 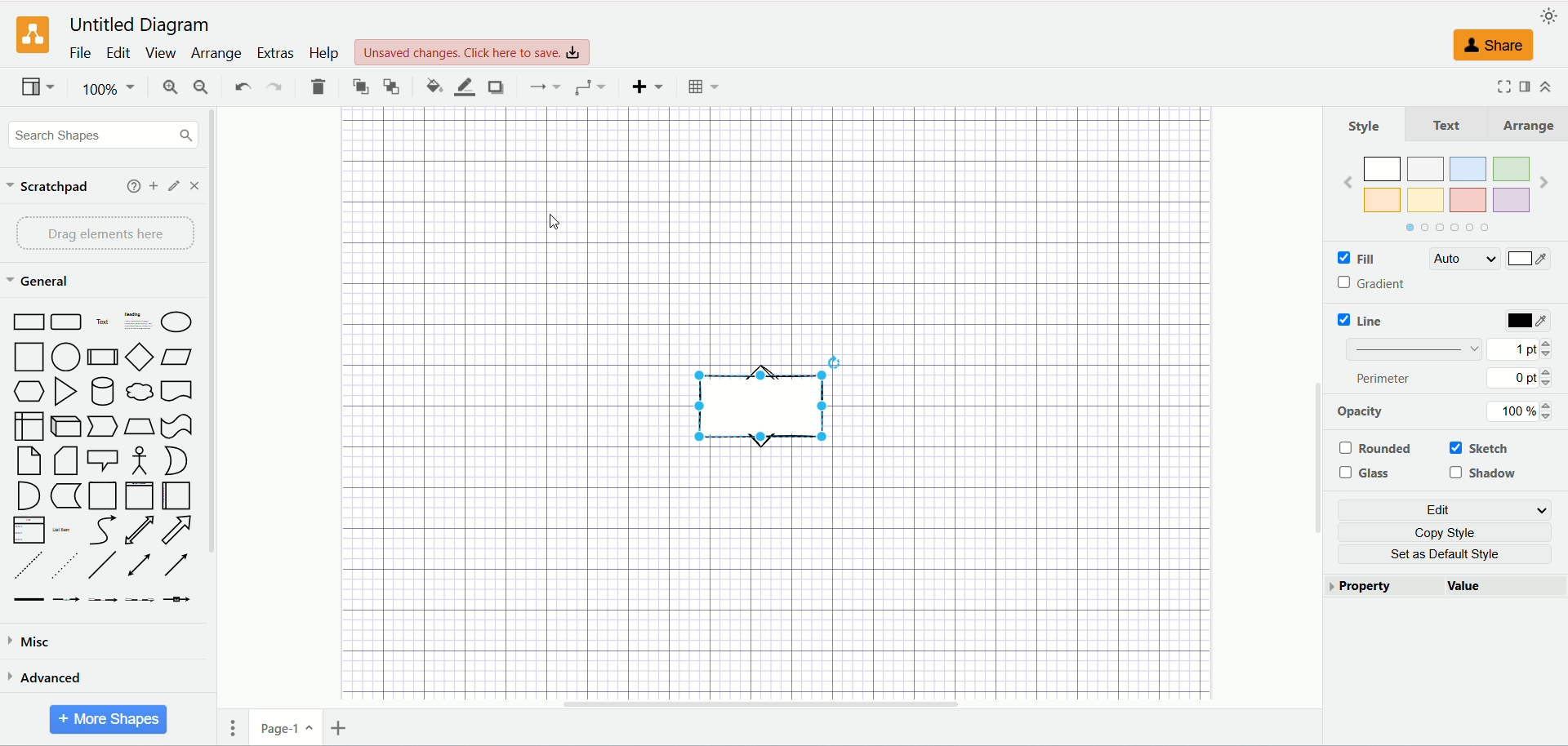 What do you see at coordinates (1503, 588) in the screenshot?
I see `value` at bounding box center [1503, 588].